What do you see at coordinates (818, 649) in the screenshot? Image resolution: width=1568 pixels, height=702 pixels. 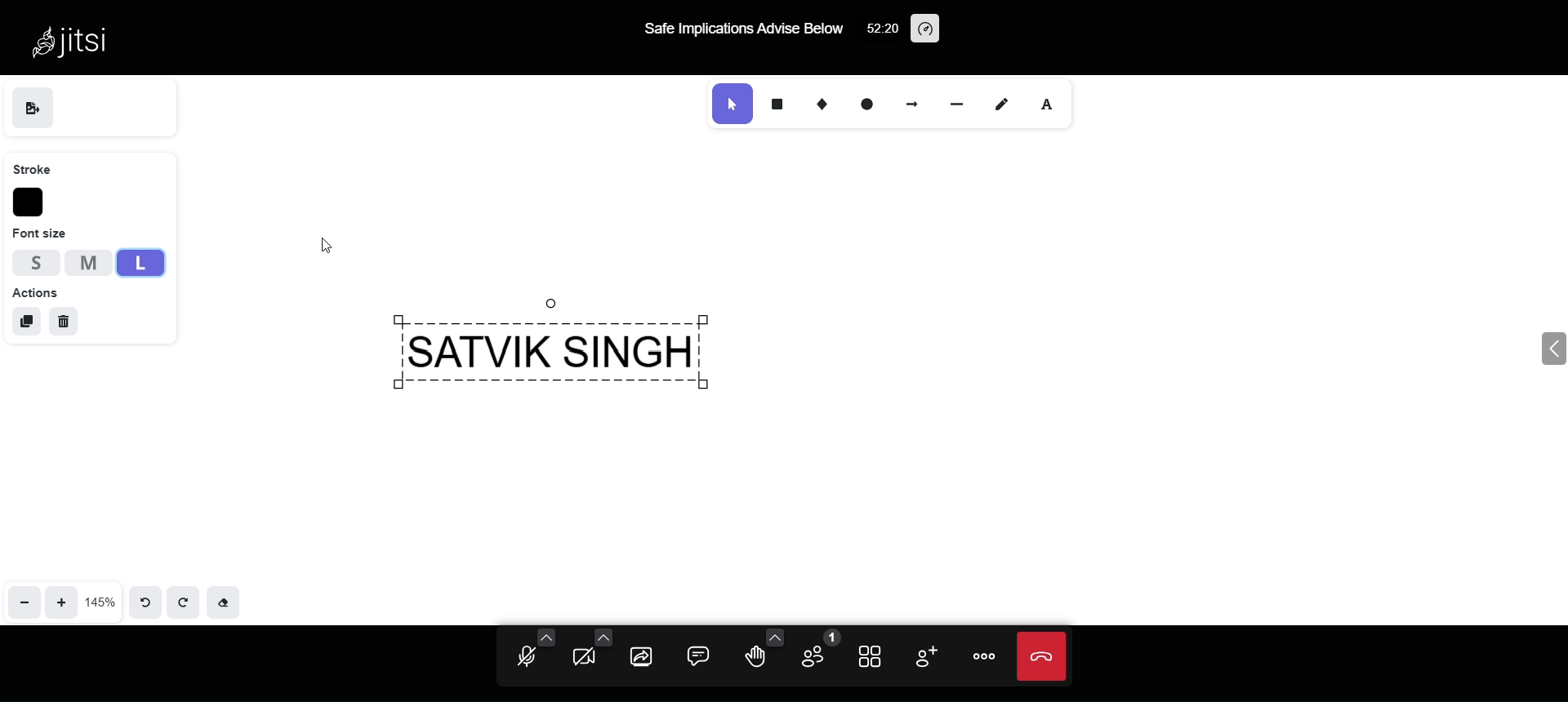 I see `participants` at bounding box center [818, 649].